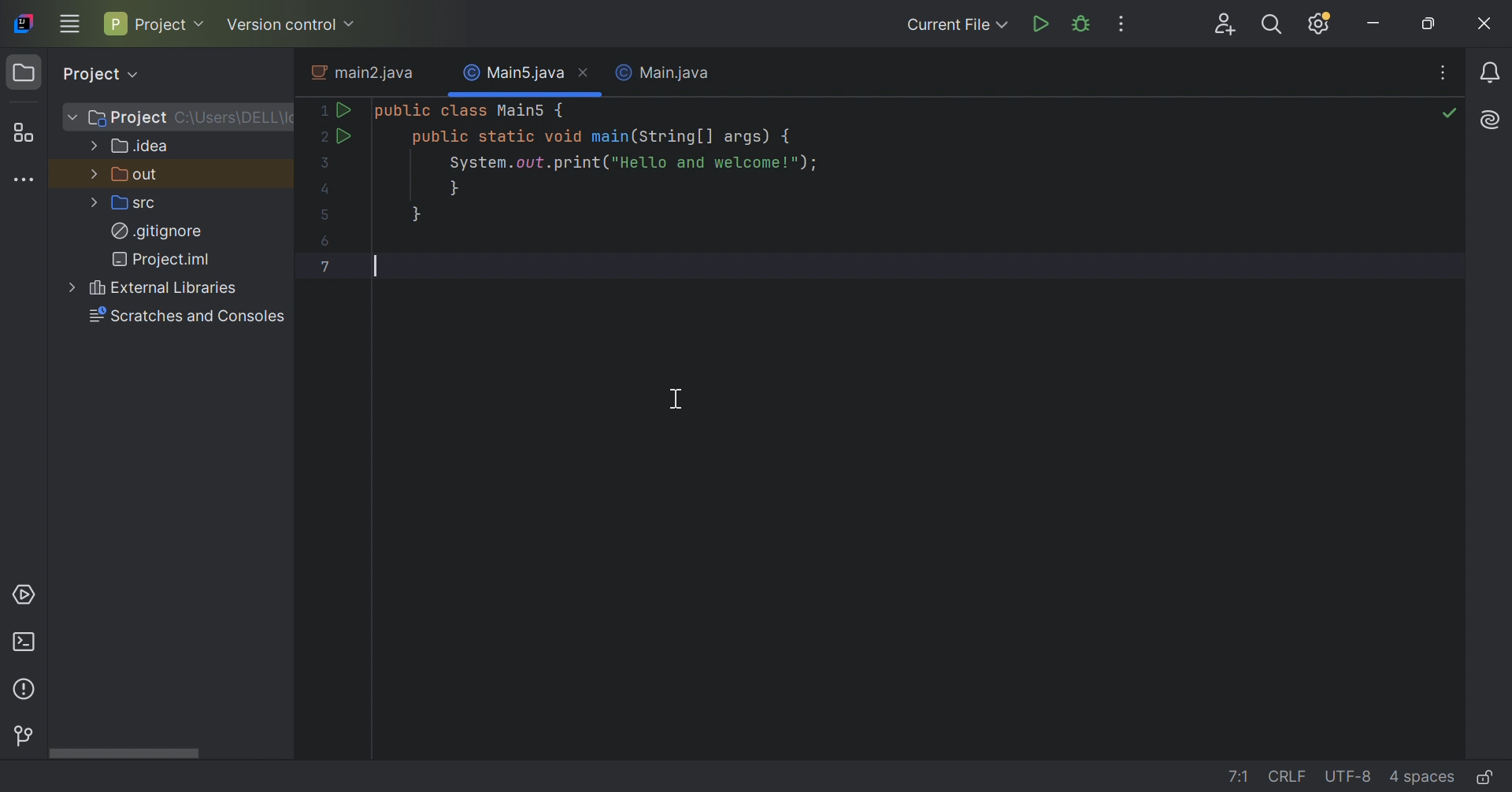 Image resolution: width=1512 pixels, height=792 pixels. Describe the element at coordinates (235, 117) in the screenshot. I see `C\:Users\DELL\` at that location.